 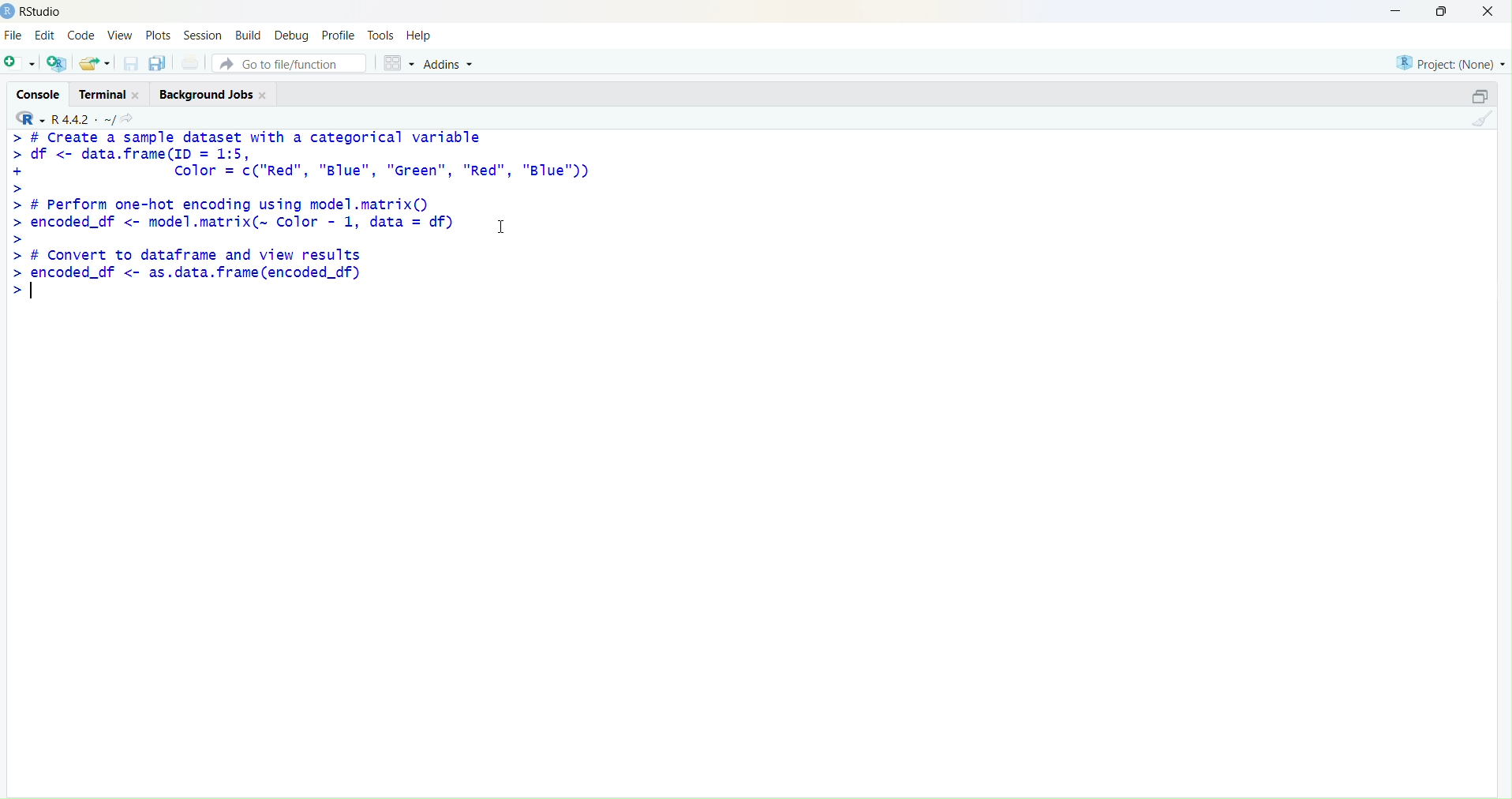 I want to click on plots, so click(x=158, y=36).